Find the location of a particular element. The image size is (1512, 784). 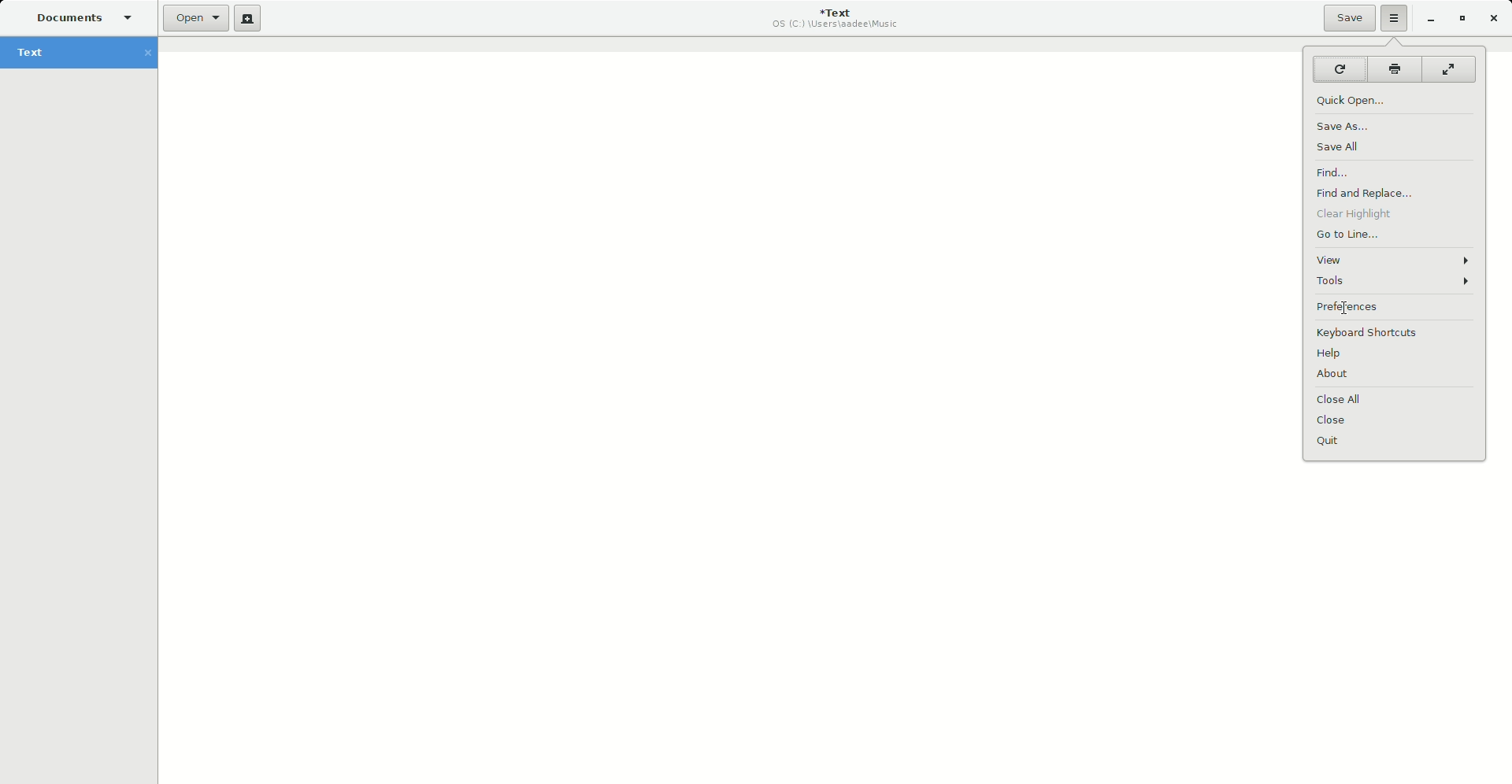

Keyboard Shortcuts is located at coordinates (1370, 333).